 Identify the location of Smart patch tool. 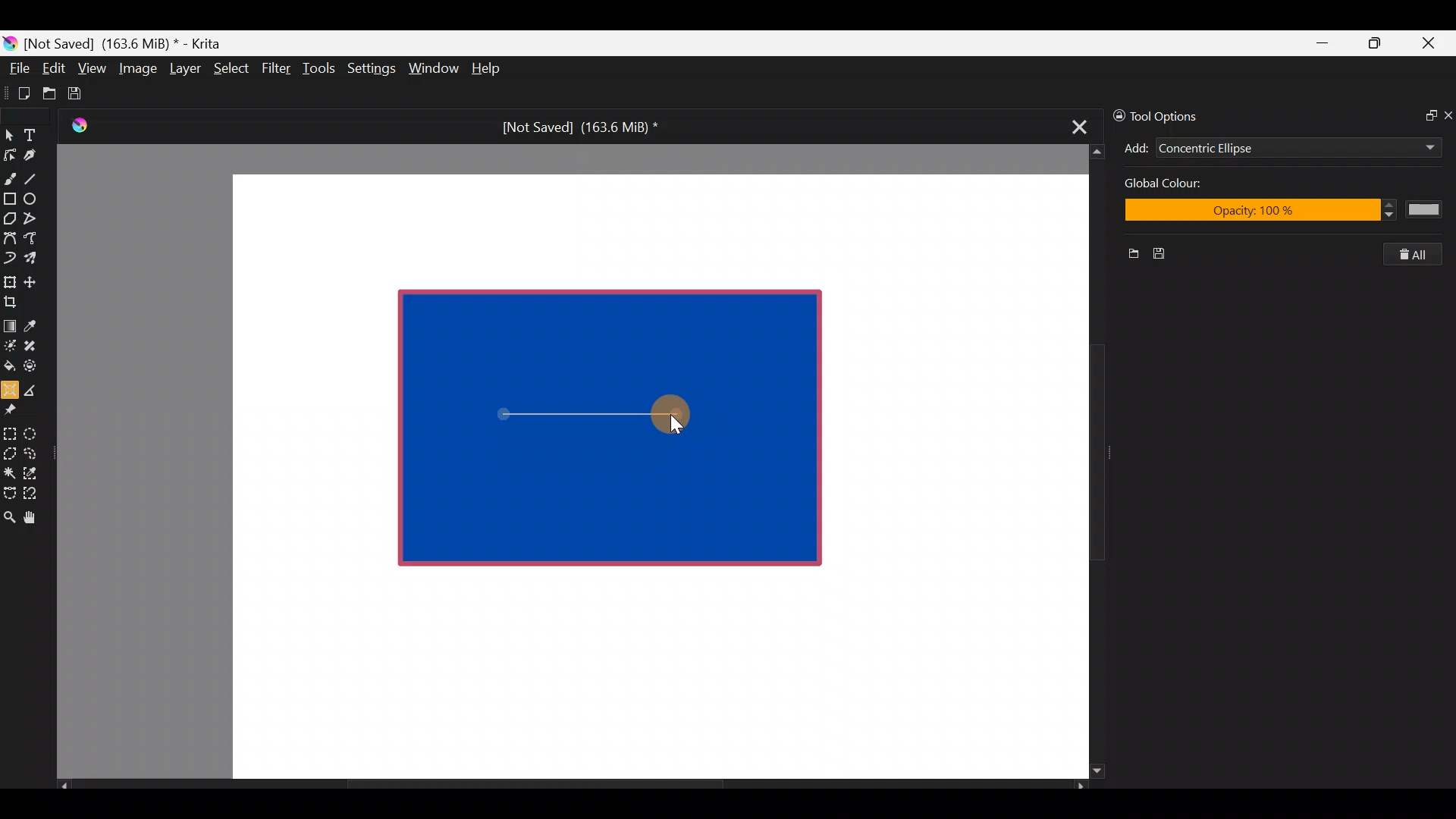
(35, 345).